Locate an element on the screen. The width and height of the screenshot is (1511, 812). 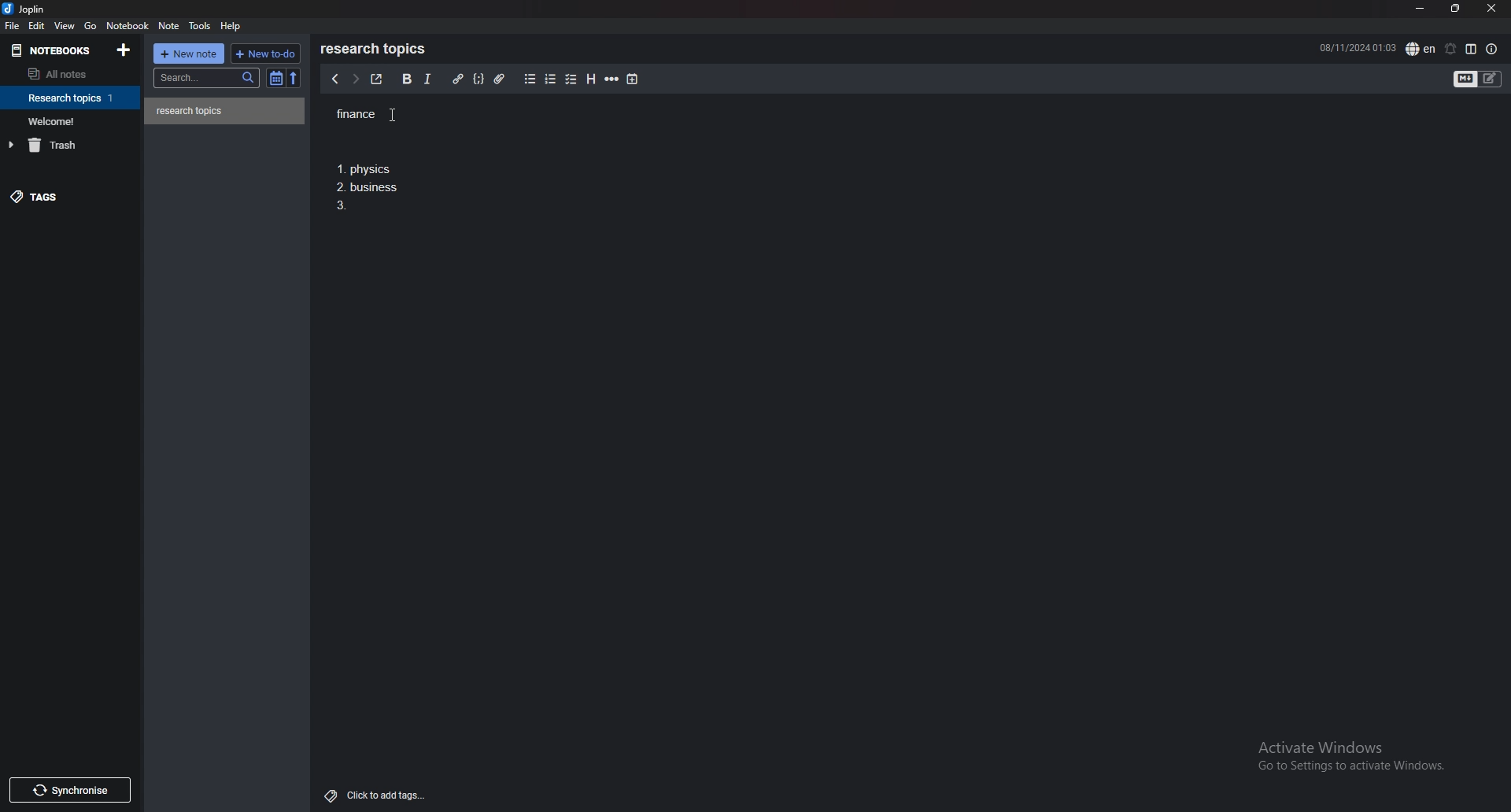
add notebook is located at coordinates (123, 50).